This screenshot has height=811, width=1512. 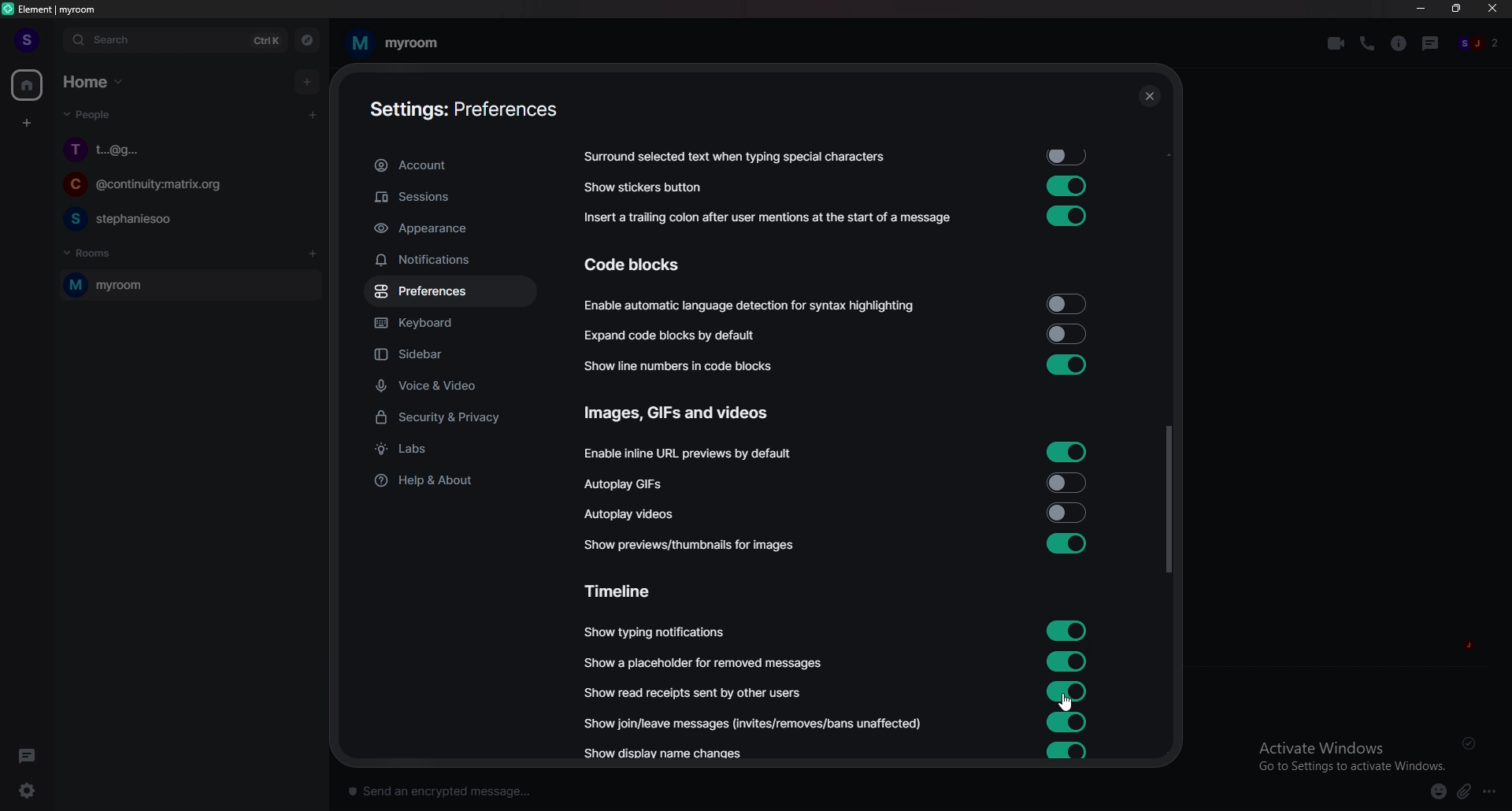 What do you see at coordinates (1467, 792) in the screenshot?
I see `attachments` at bounding box center [1467, 792].